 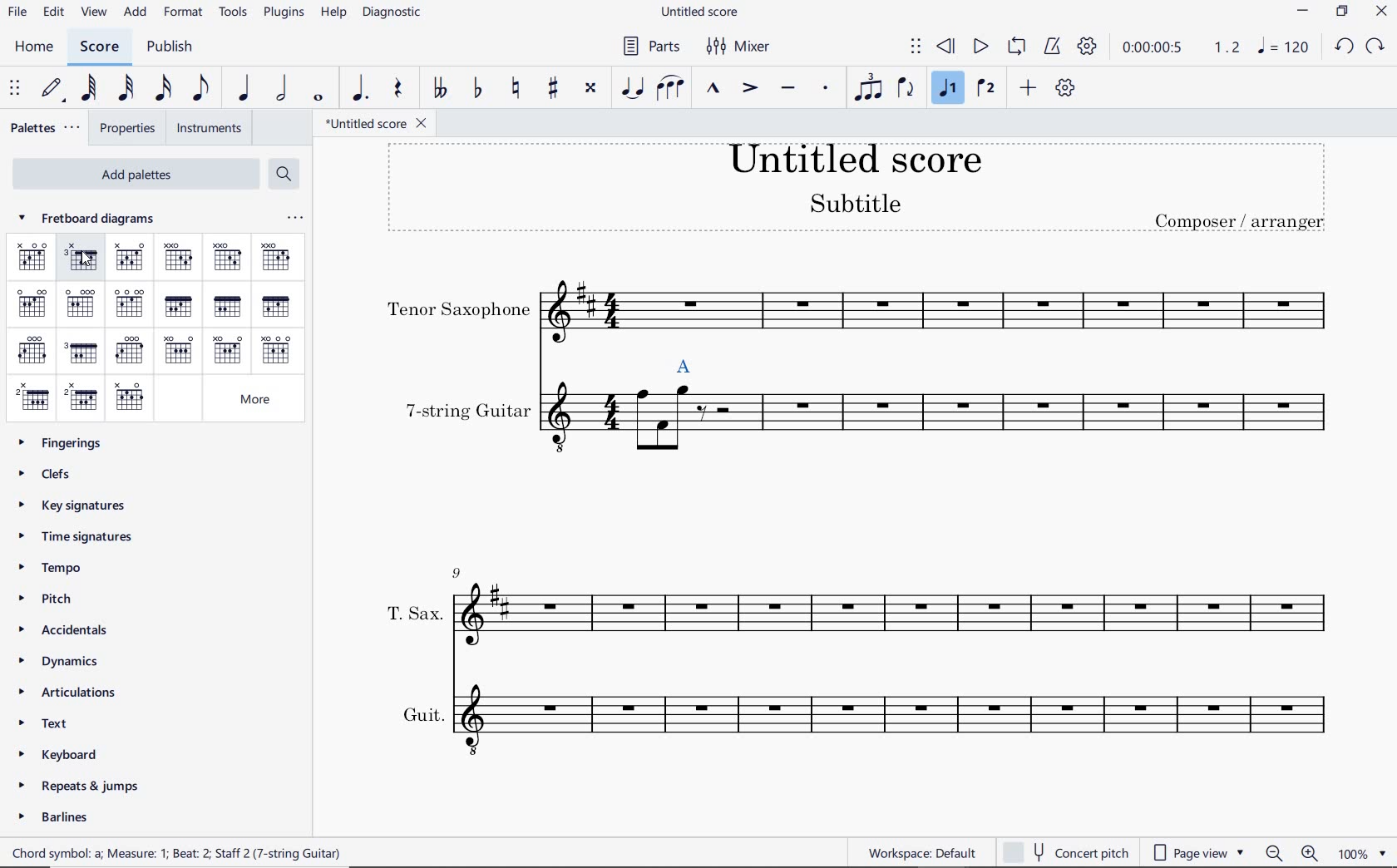 I want to click on cursor, so click(x=88, y=257).